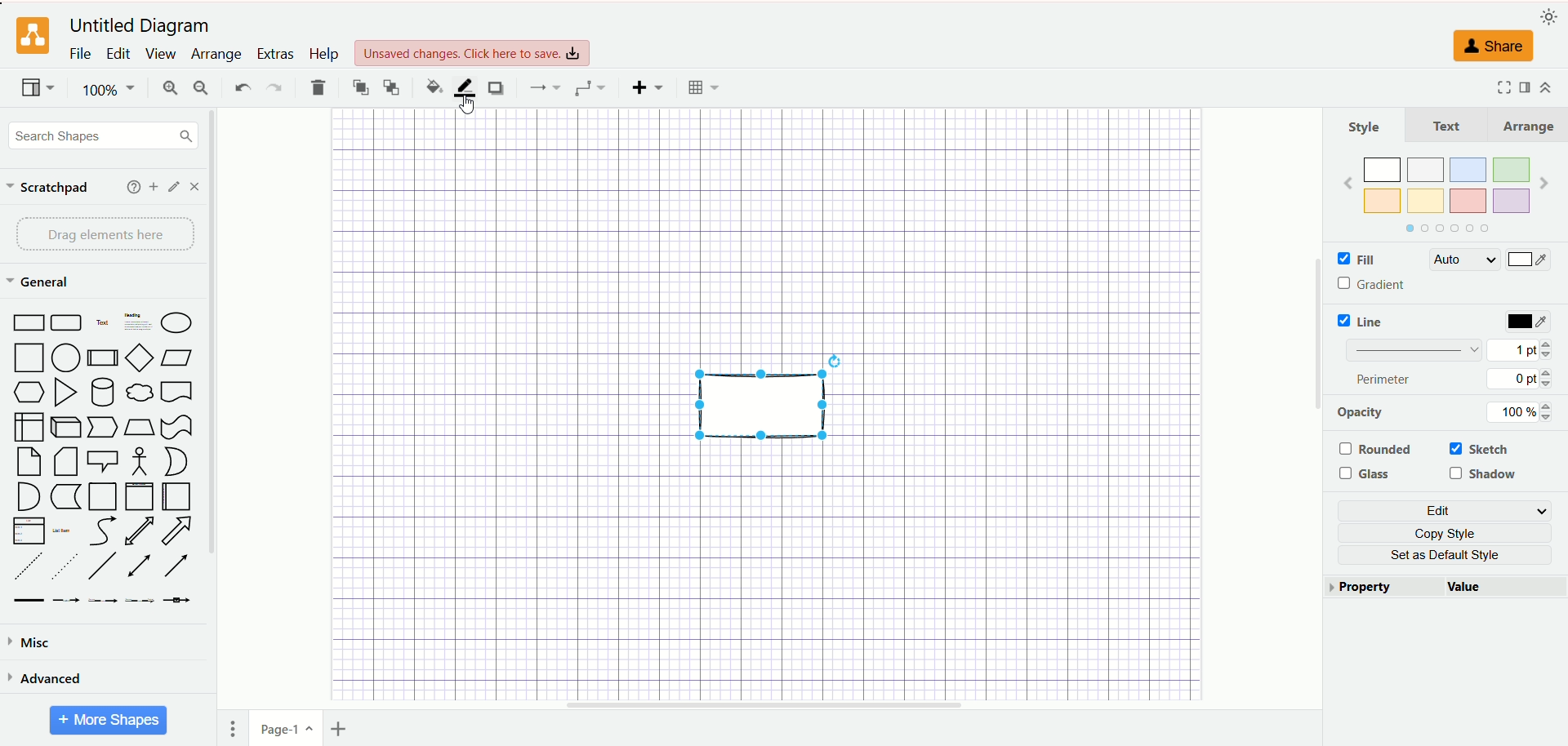 This screenshot has width=1568, height=746. What do you see at coordinates (1477, 448) in the screenshot?
I see `sketch` at bounding box center [1477, 448].